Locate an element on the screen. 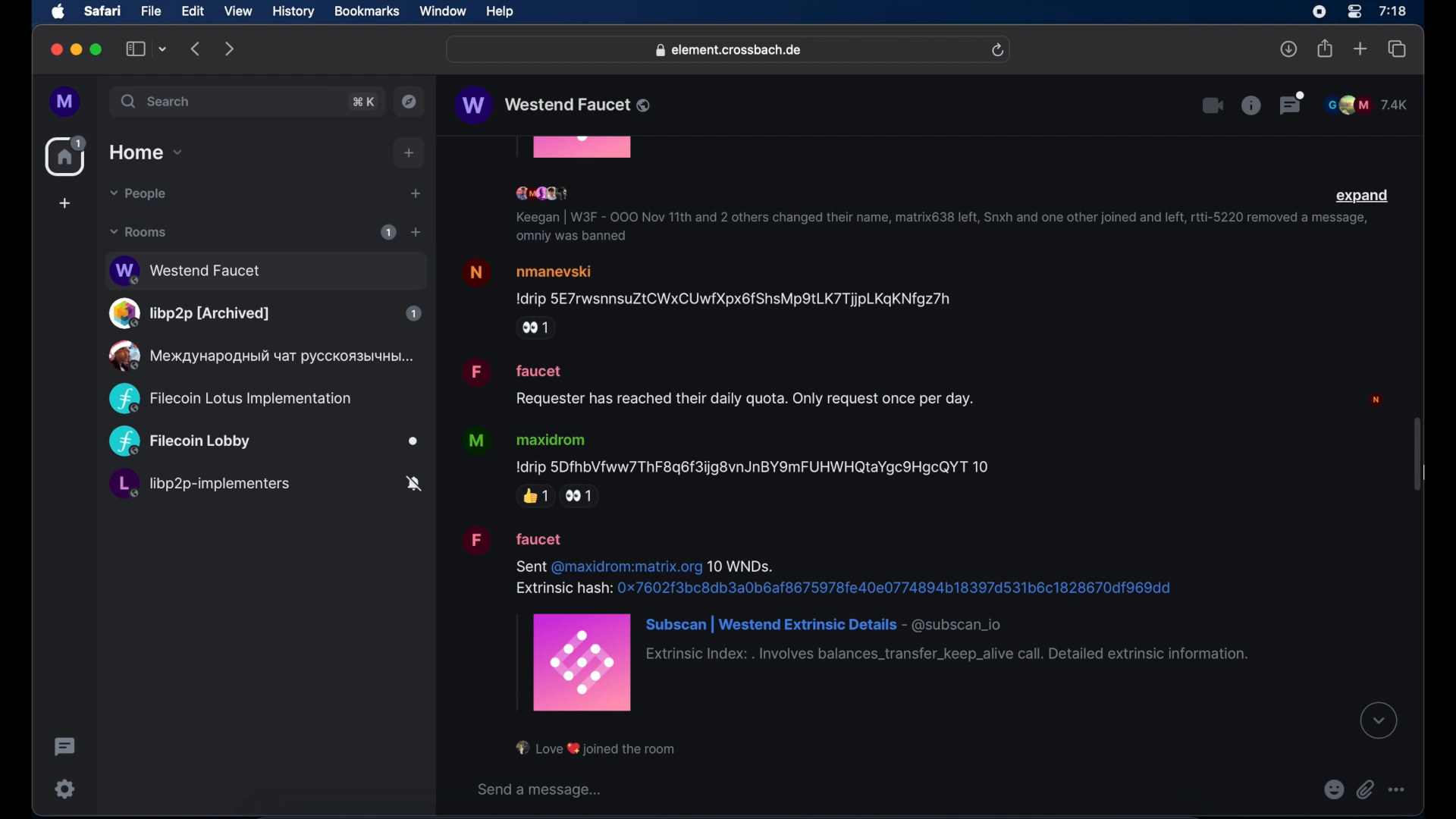 Image resolution: width=1456 pixels, height=819 pixels. thread activity is located at coordinates (66, 747).